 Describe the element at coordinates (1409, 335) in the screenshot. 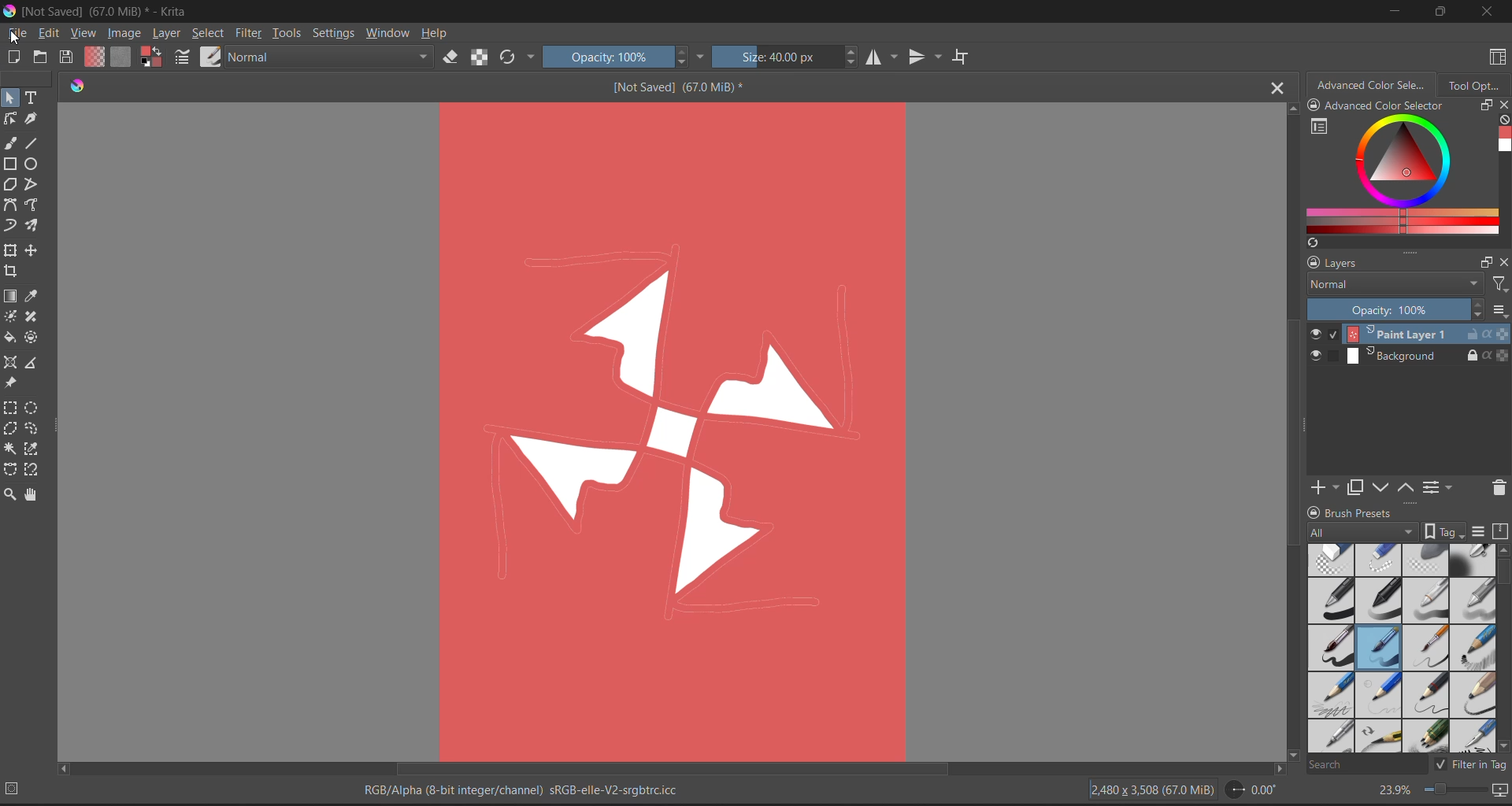

I see `layer` at that location.